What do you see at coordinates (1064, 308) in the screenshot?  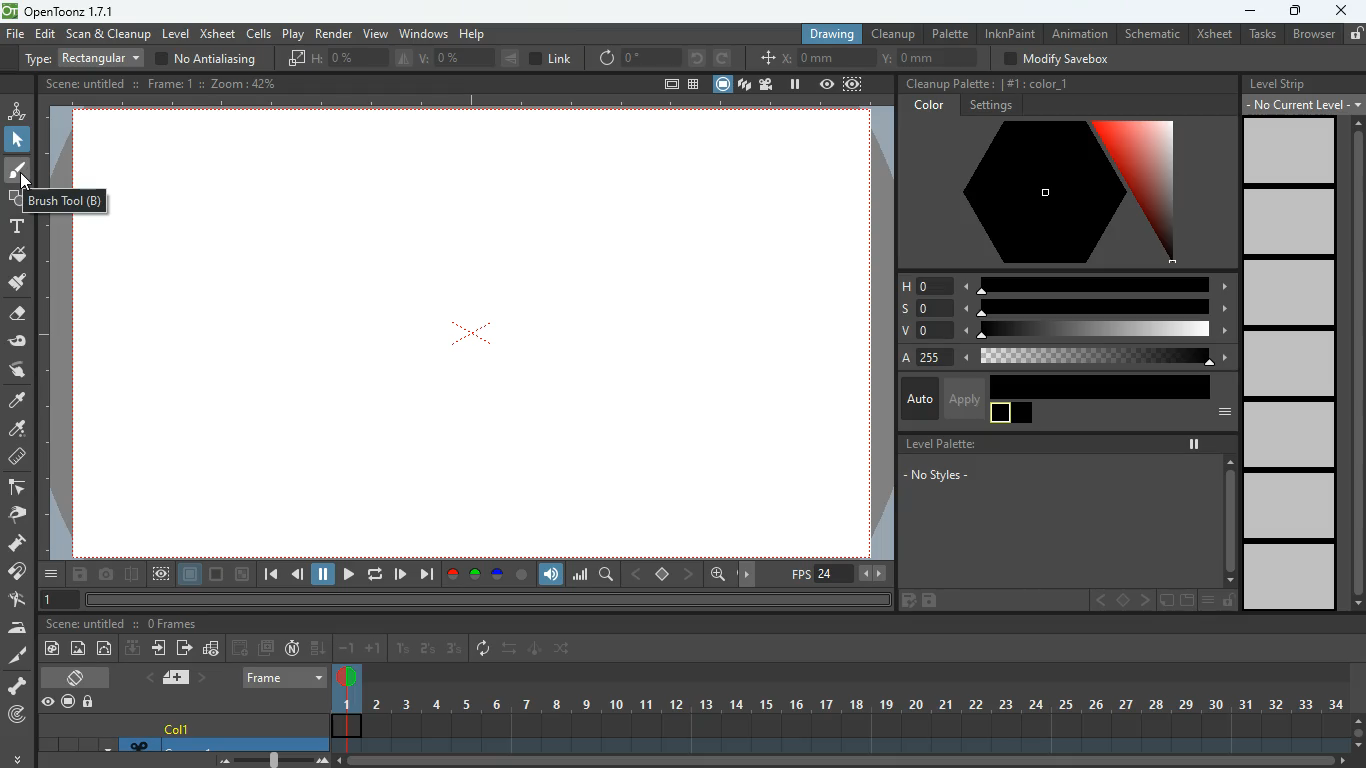 I see `s` at bounding box center [1064, 308].